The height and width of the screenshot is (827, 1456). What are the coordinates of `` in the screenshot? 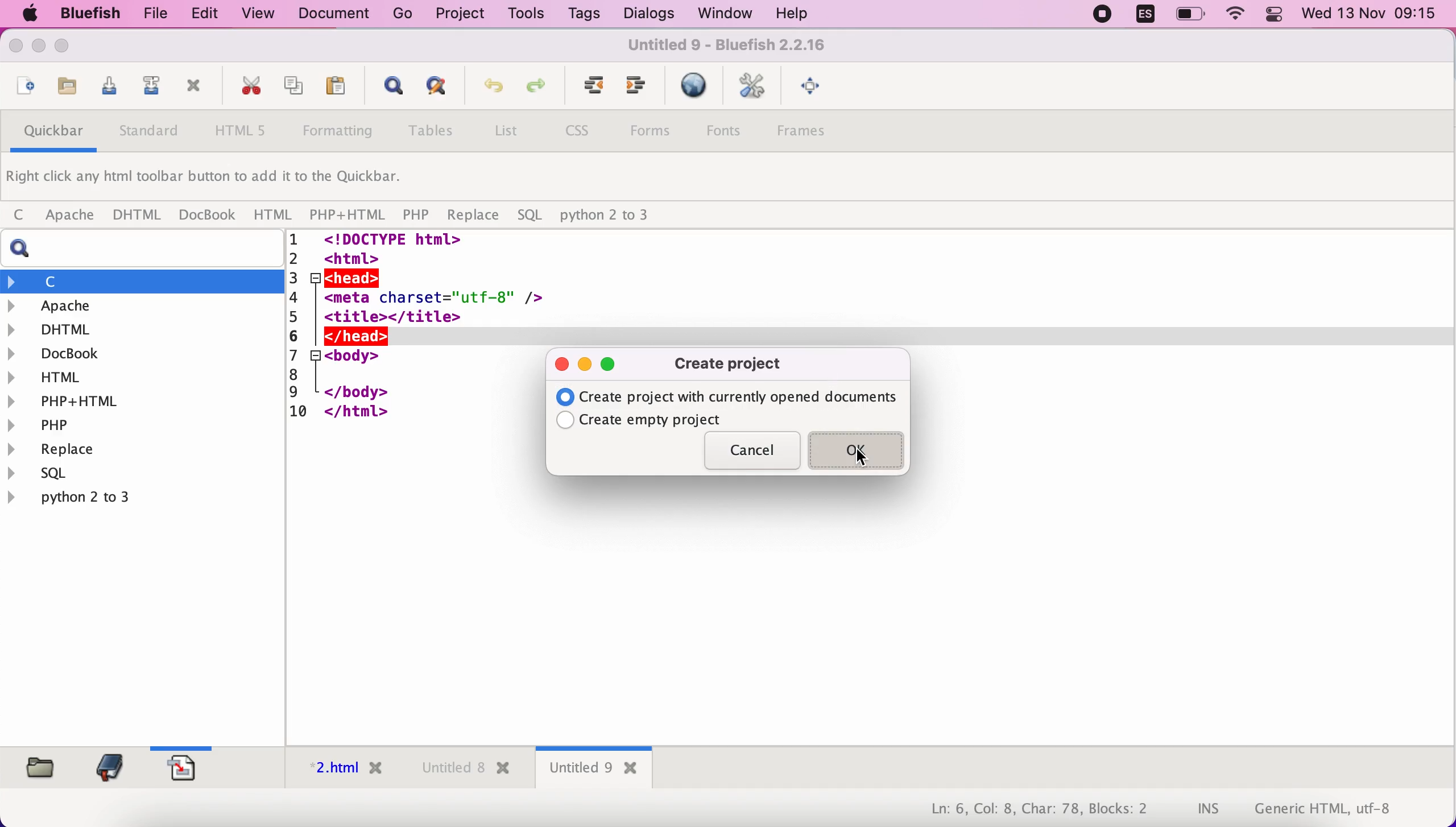 It's located at (190, 86).